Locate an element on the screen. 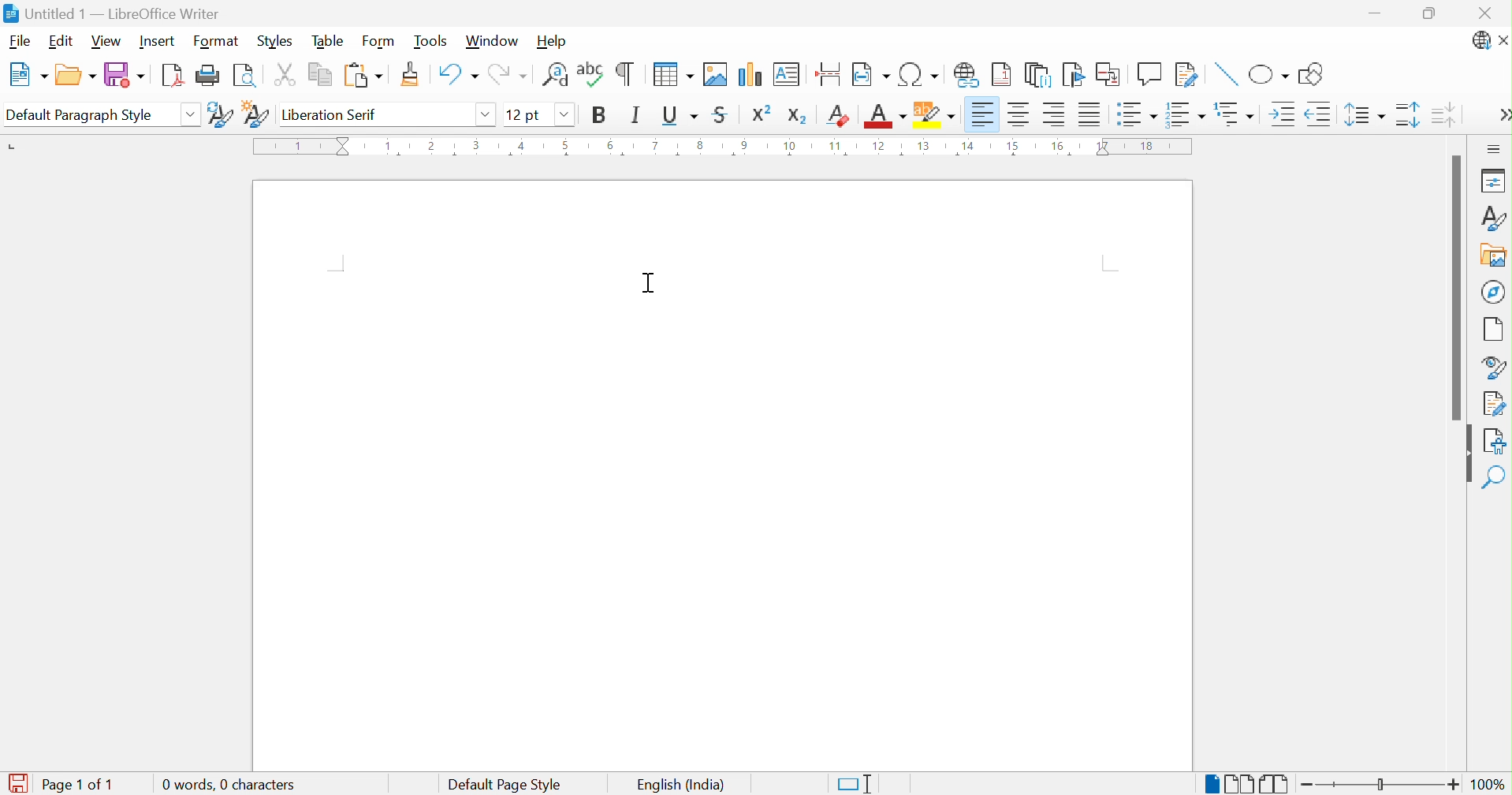  Align center is located at coordinates (1020, 117).